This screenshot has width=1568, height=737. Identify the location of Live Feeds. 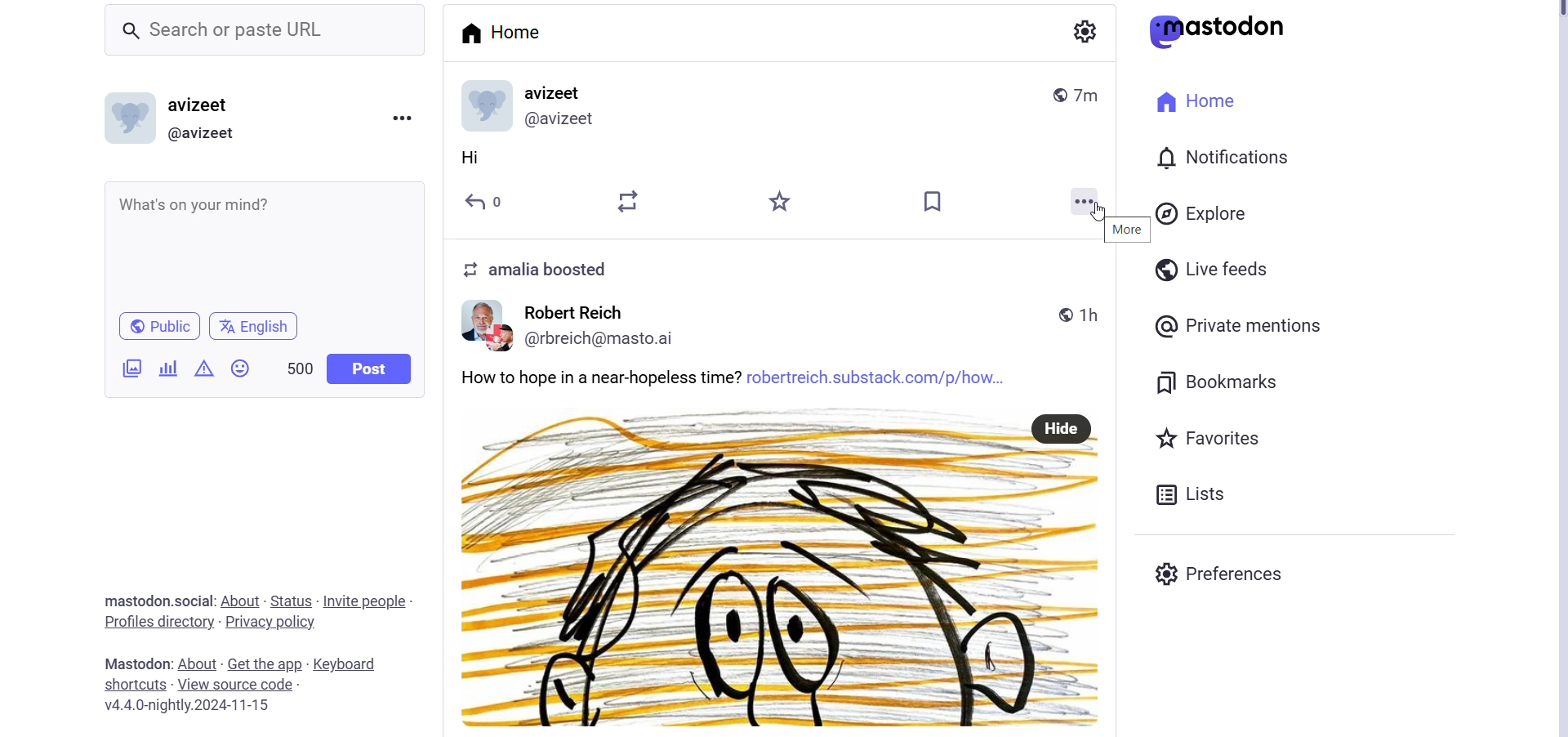
(1210, 270).